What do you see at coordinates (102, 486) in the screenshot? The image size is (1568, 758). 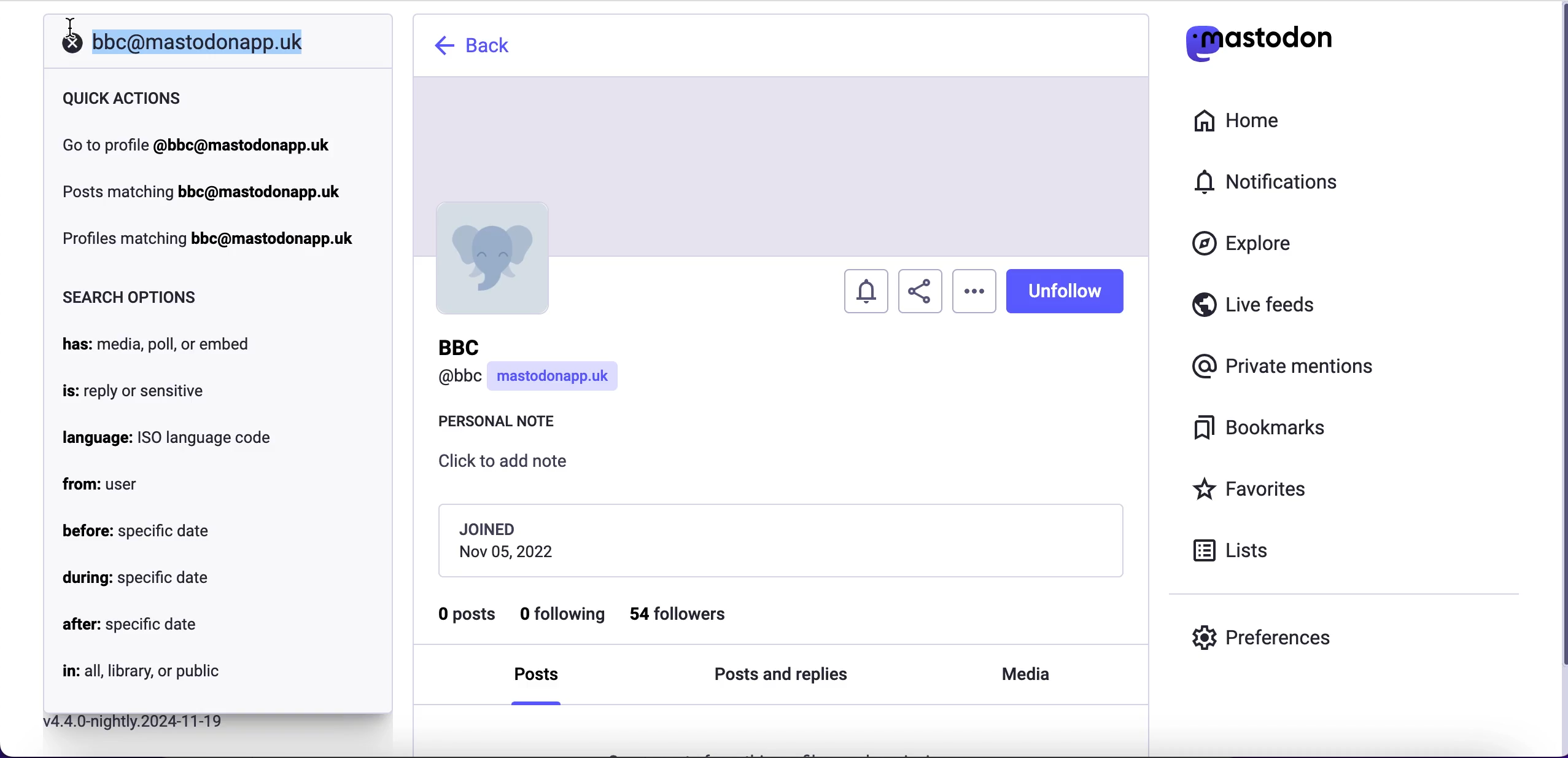 I see `from: user` at bounding box center [102, 486].